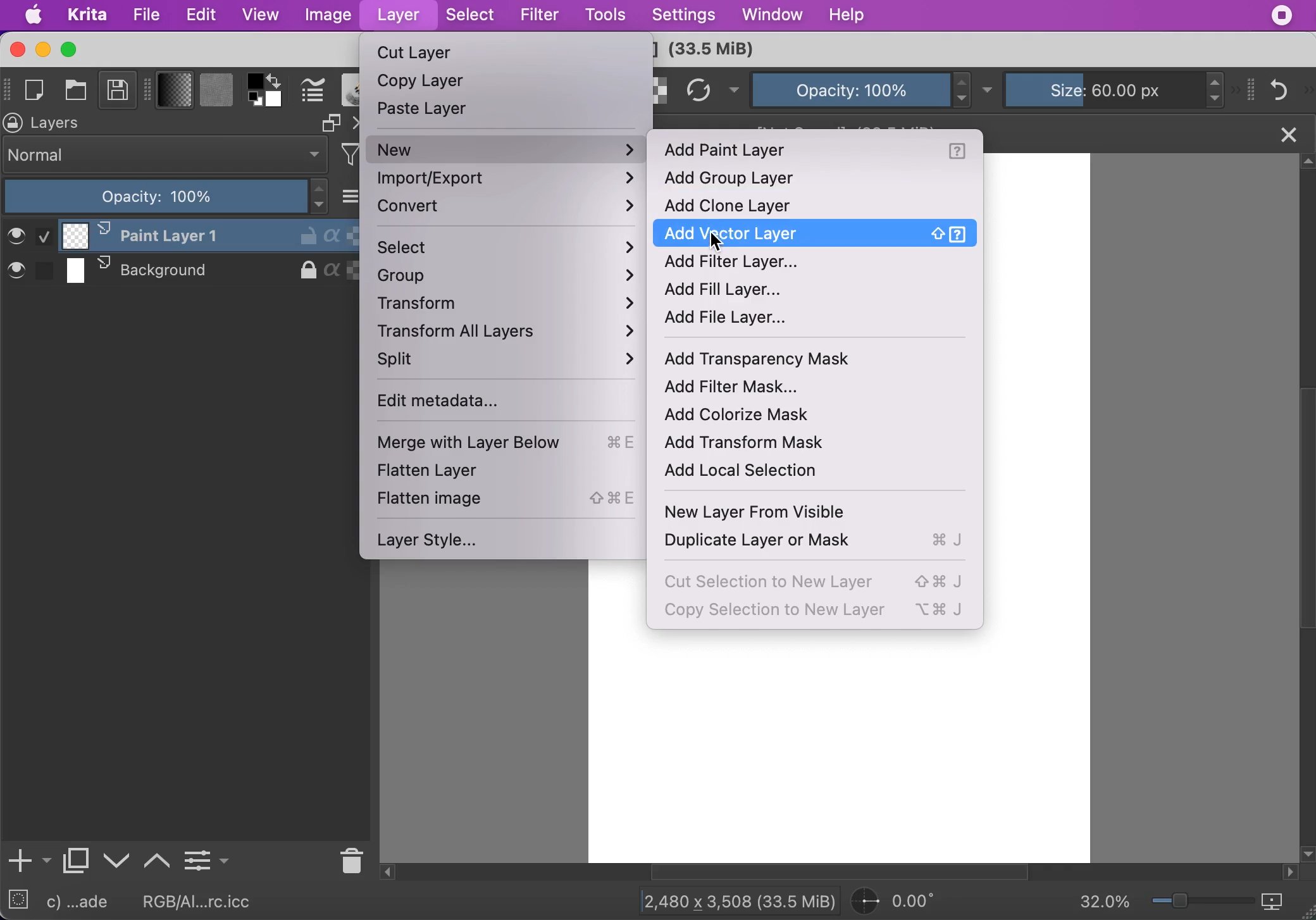  Describe the element at coordinates (754, 445) in the screenshot. I see `add transform mask` at that location.